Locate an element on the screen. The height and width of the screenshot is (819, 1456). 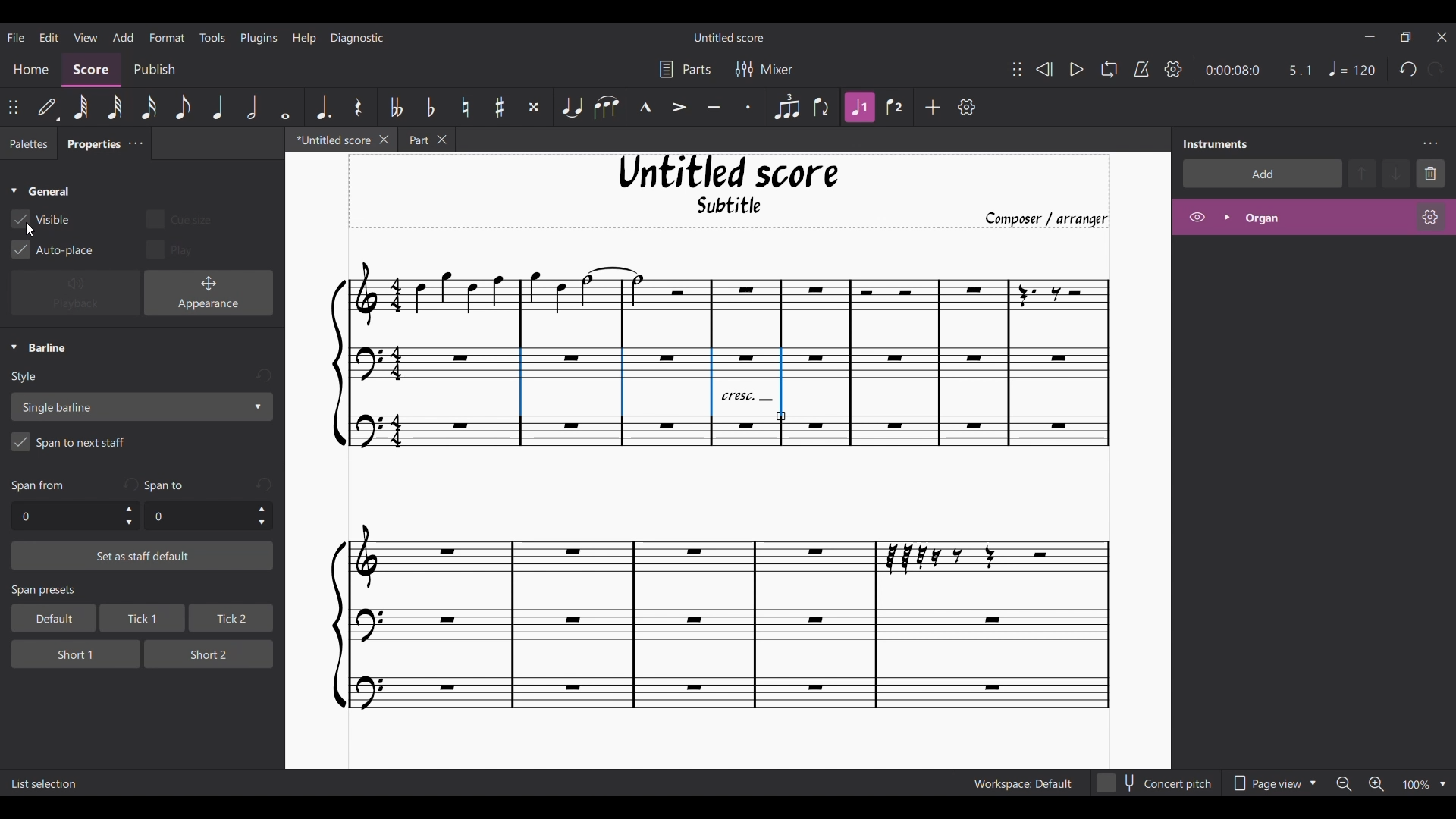
Palette tab is located at coordinates (27, 144).